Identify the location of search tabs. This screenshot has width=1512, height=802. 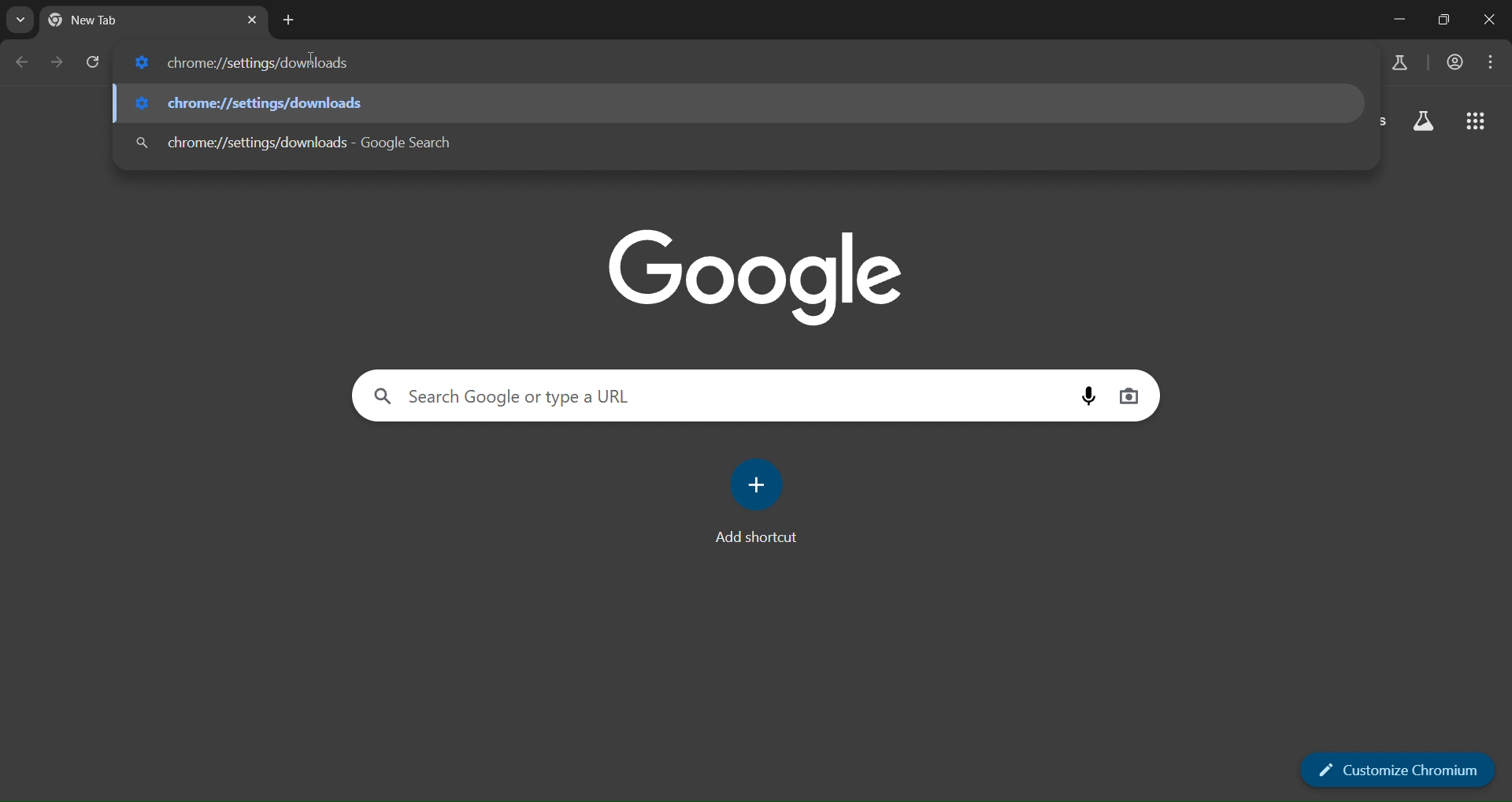
(17, 20).